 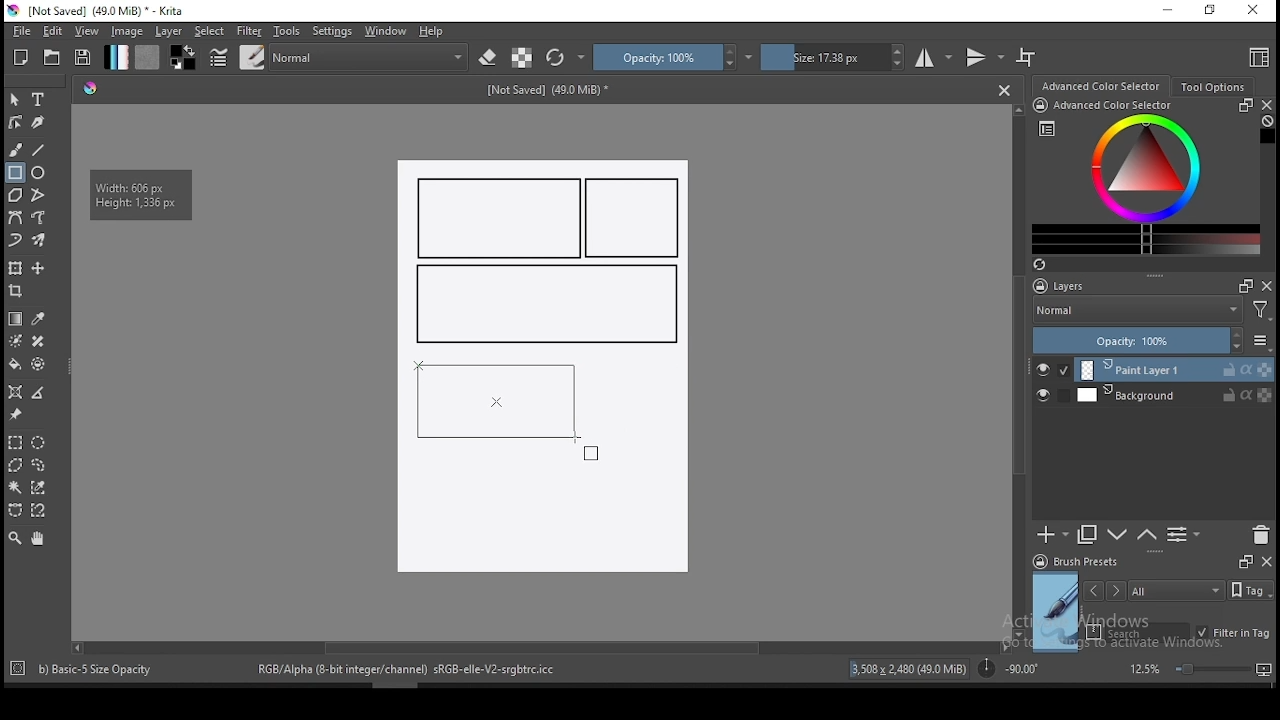 What do you see at coordinates (1008, 667) in the screenshot?
I see `rotation` at bounding box center [1008, 667].